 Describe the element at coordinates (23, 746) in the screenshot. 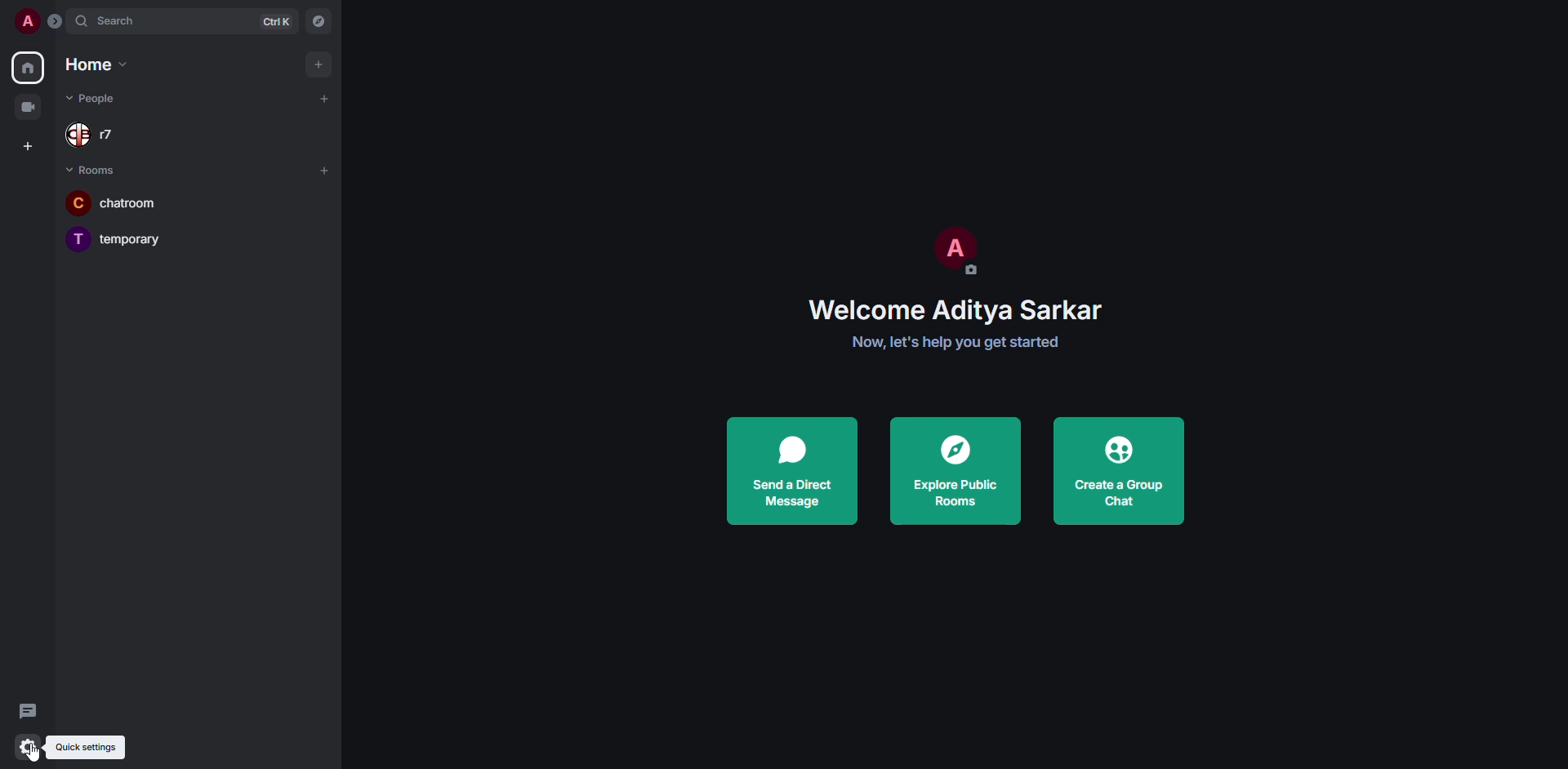

I see `quick settings` at that location.